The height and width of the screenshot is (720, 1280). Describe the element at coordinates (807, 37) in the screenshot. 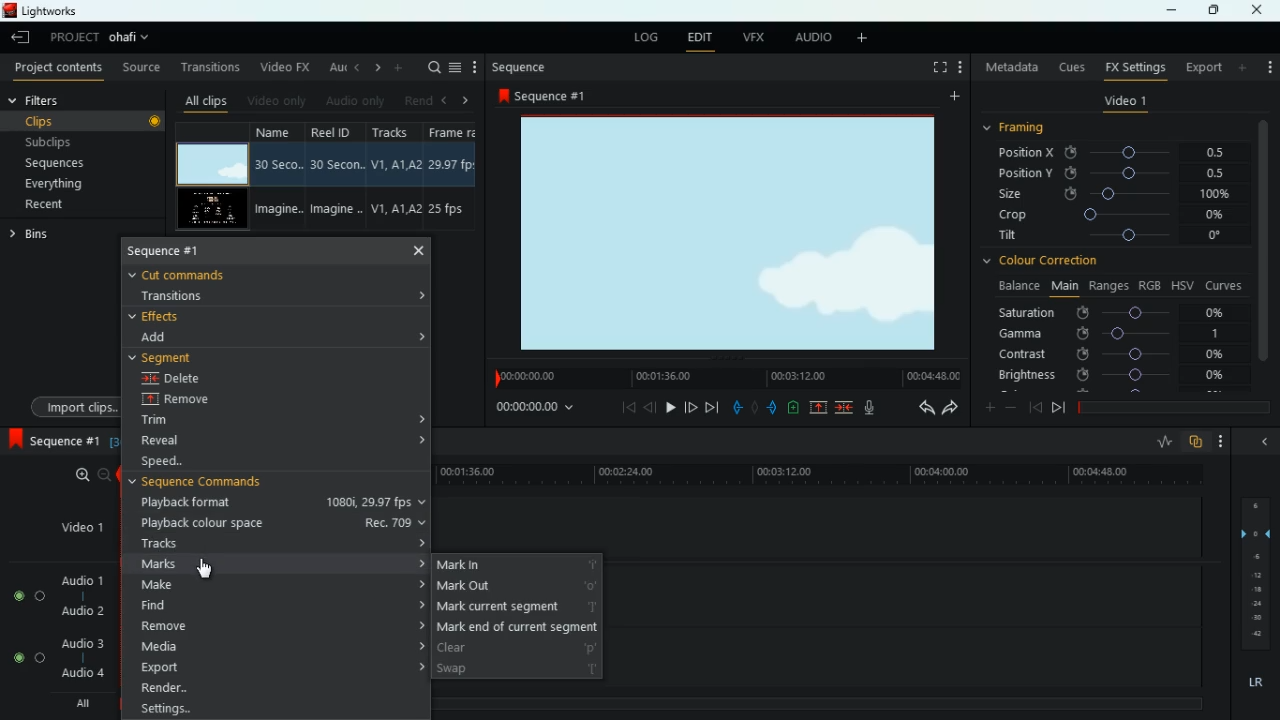

I see `audio` at that location.